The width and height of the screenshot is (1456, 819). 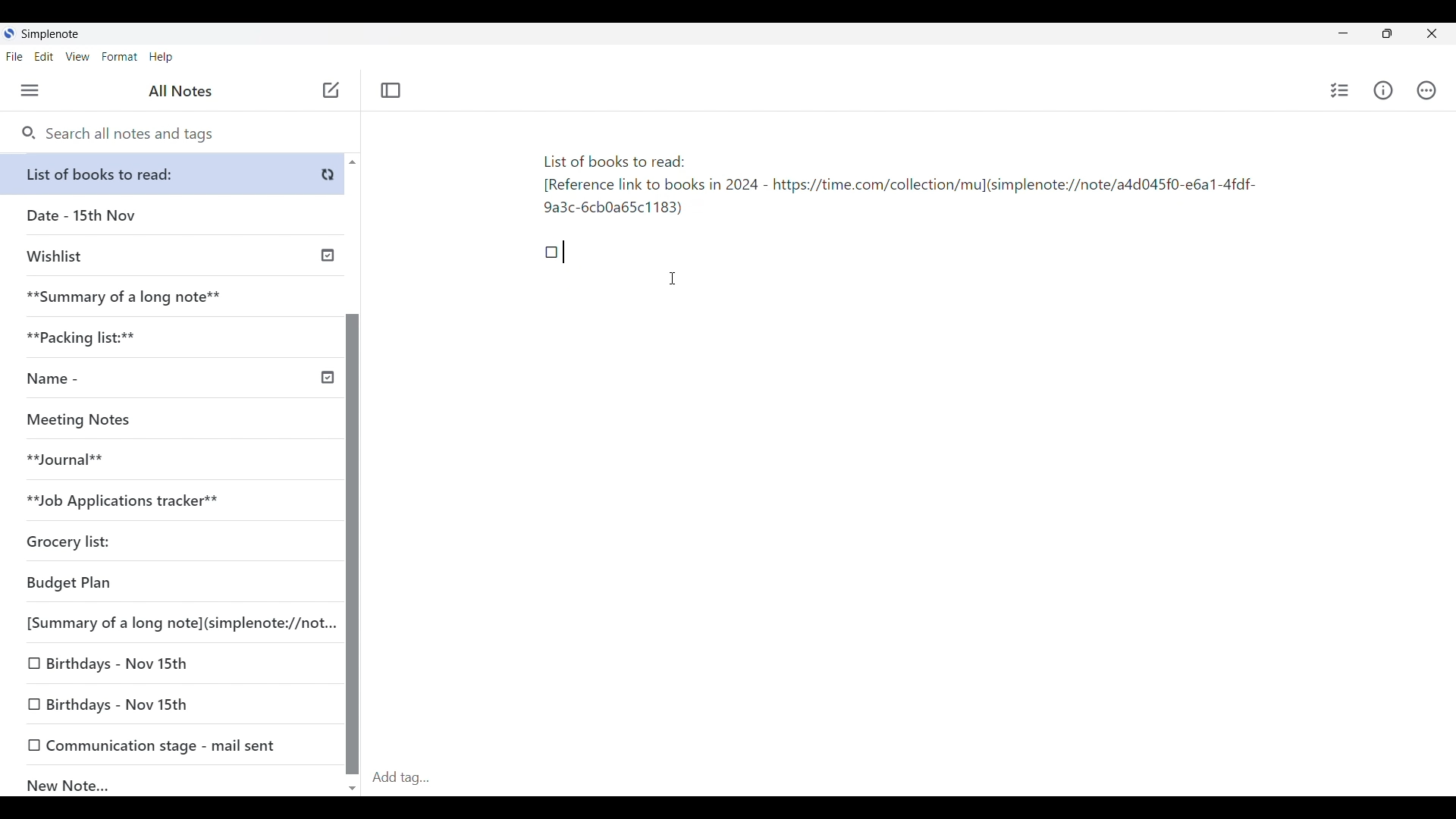 I want to click on New Note..., so click(x=174, y=782).